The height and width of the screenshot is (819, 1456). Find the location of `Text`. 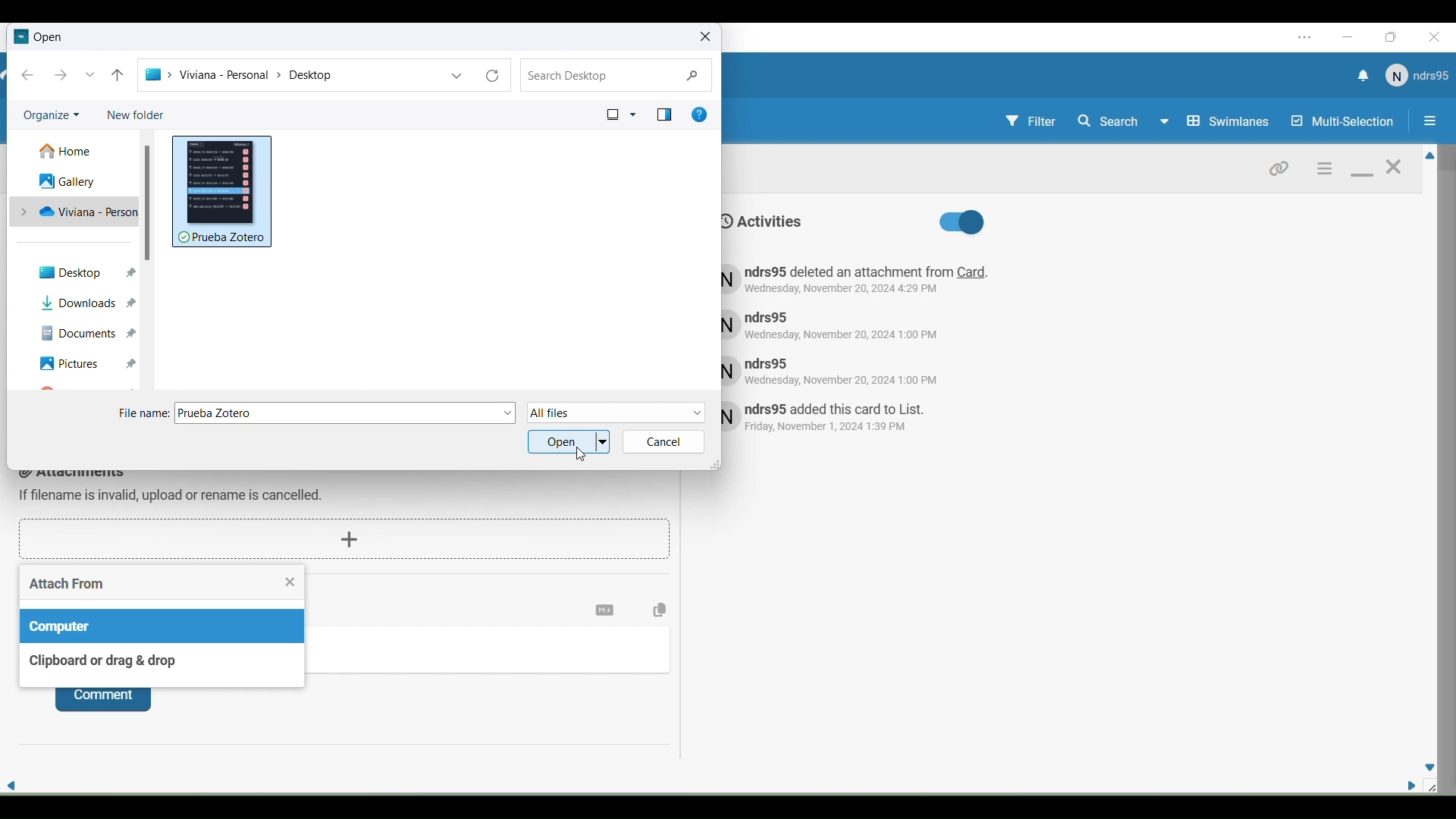

Text is located at coordinates (843, 324).